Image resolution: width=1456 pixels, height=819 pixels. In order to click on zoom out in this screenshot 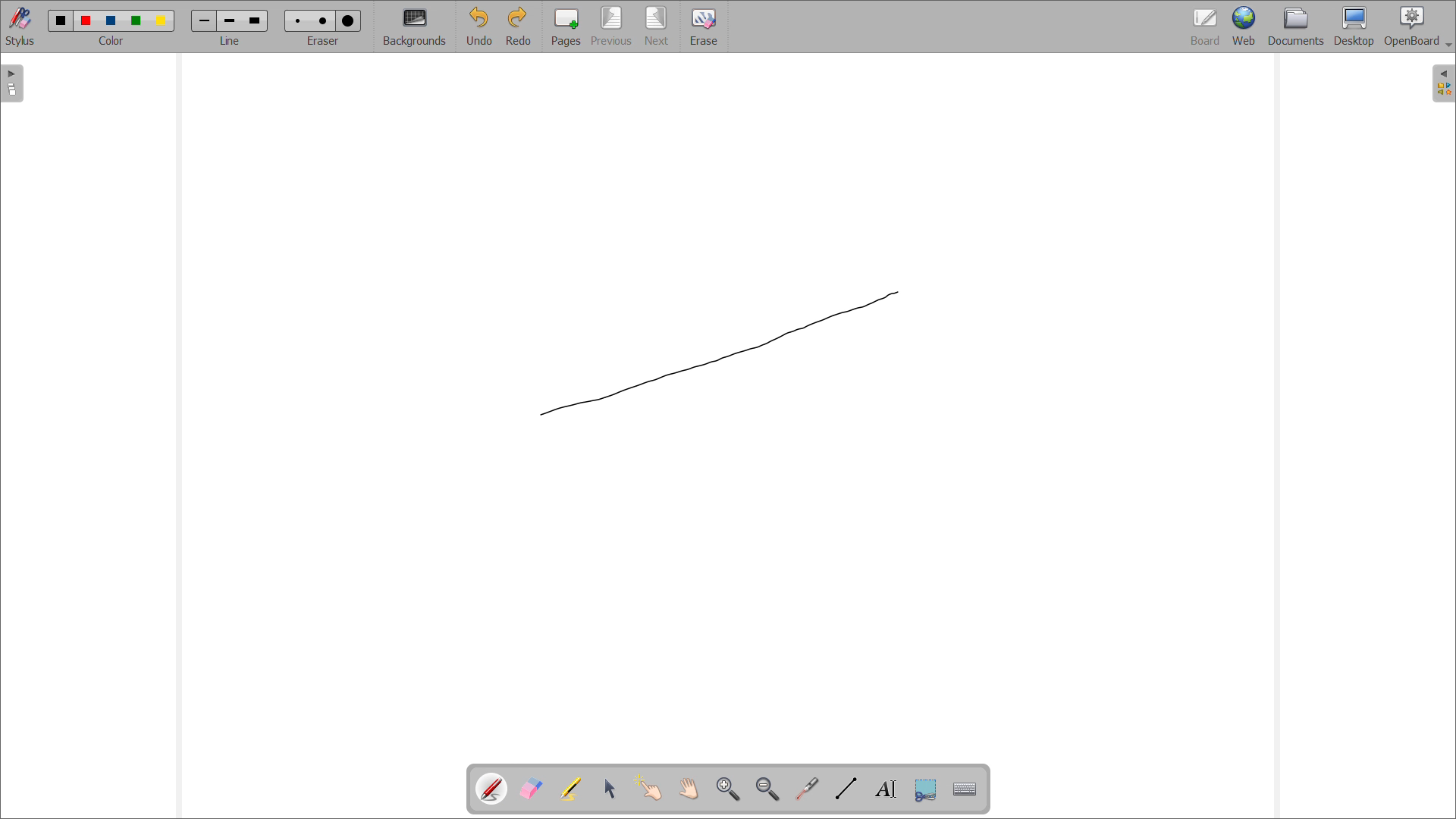, I will do `click(768, 789)`.